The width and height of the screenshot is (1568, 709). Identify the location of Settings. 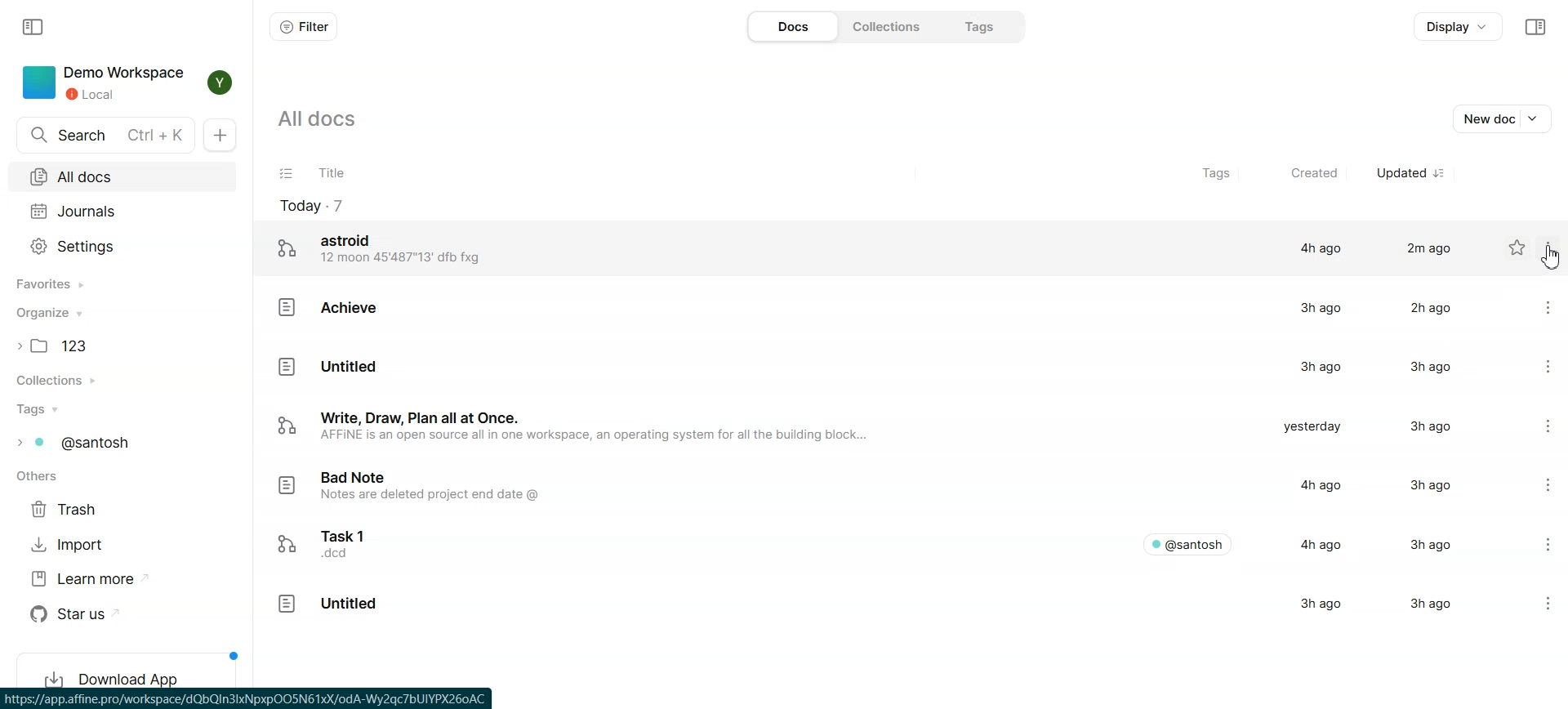
(1535, 541).